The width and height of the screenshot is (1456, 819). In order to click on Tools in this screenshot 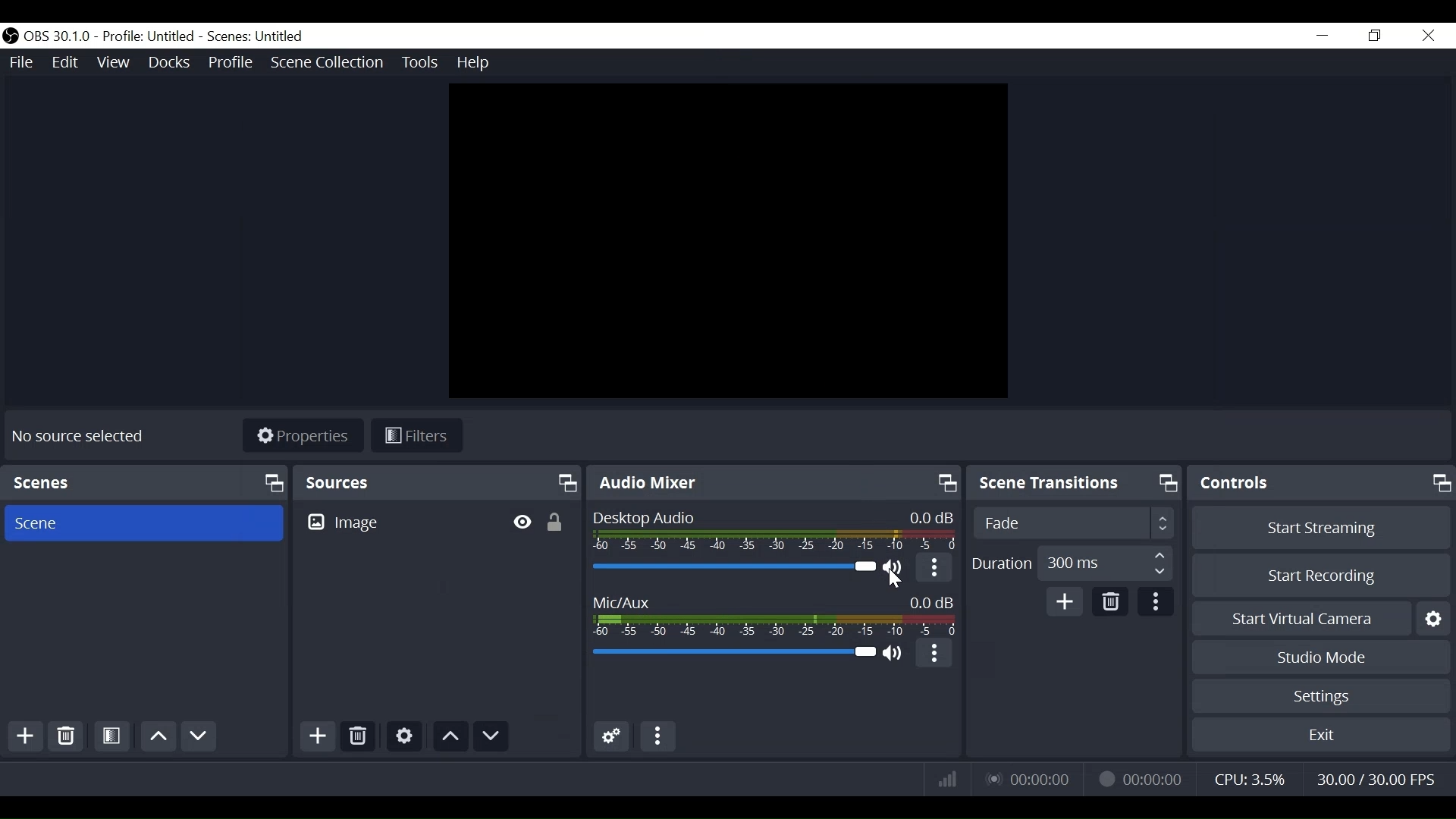, I will do `click(422, 64)`.